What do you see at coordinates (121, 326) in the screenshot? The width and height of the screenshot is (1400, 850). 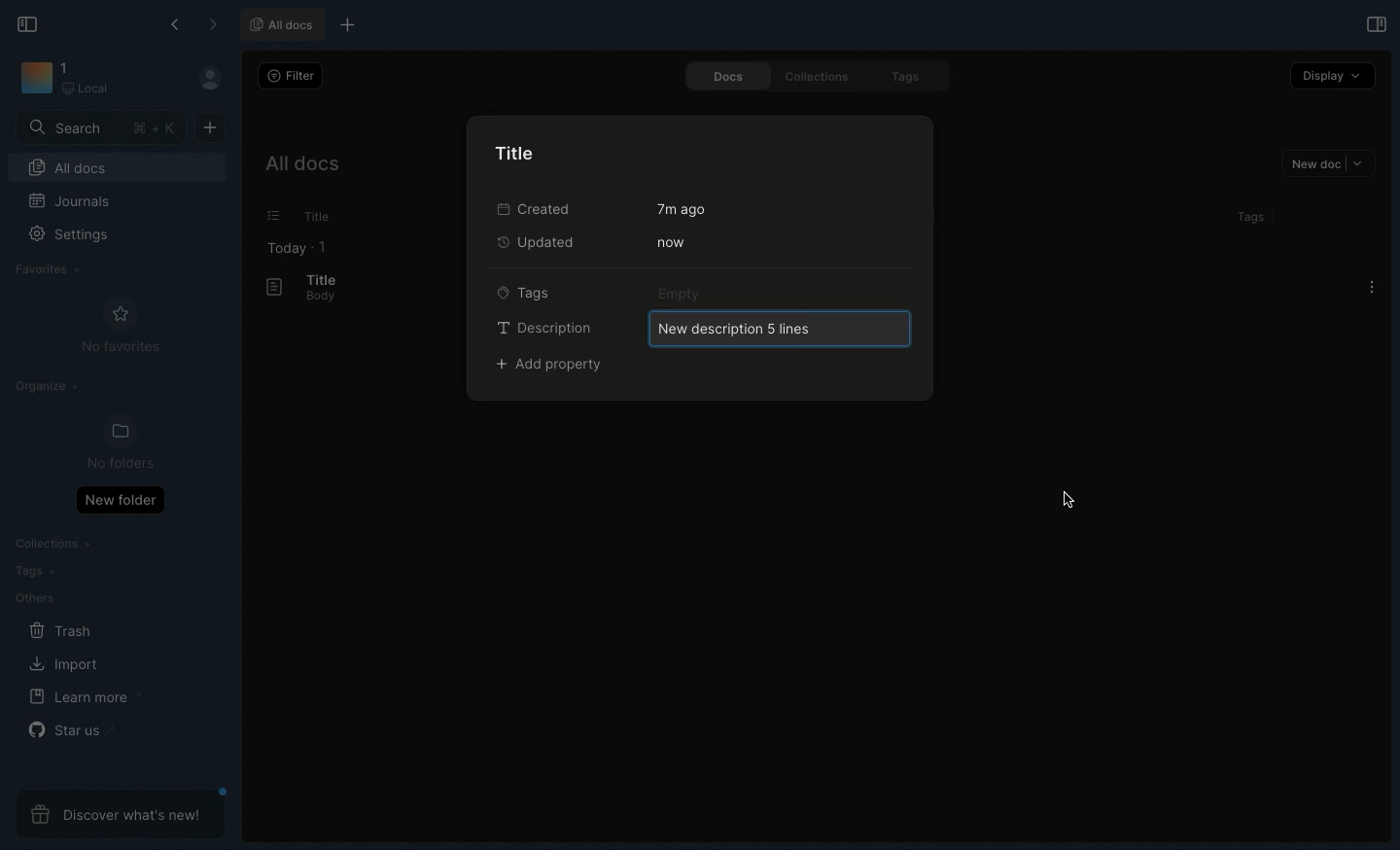 I see `No favorites` at bounding box center [121, 326].